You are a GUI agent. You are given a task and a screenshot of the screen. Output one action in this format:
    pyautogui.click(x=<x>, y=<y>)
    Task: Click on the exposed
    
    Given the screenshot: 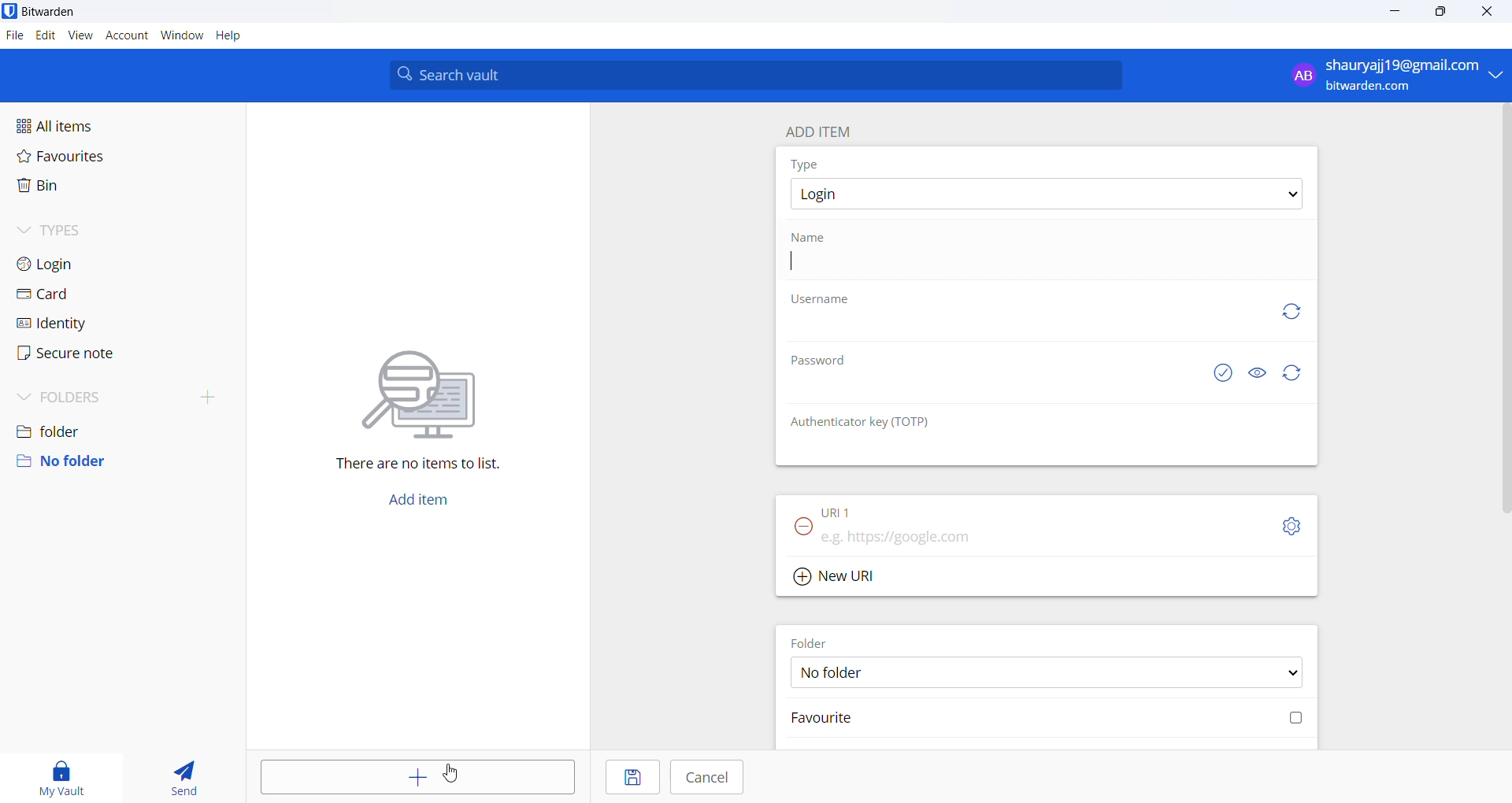 What is the action you would take?
    pyautogui.click(x=1223, y=371)
    